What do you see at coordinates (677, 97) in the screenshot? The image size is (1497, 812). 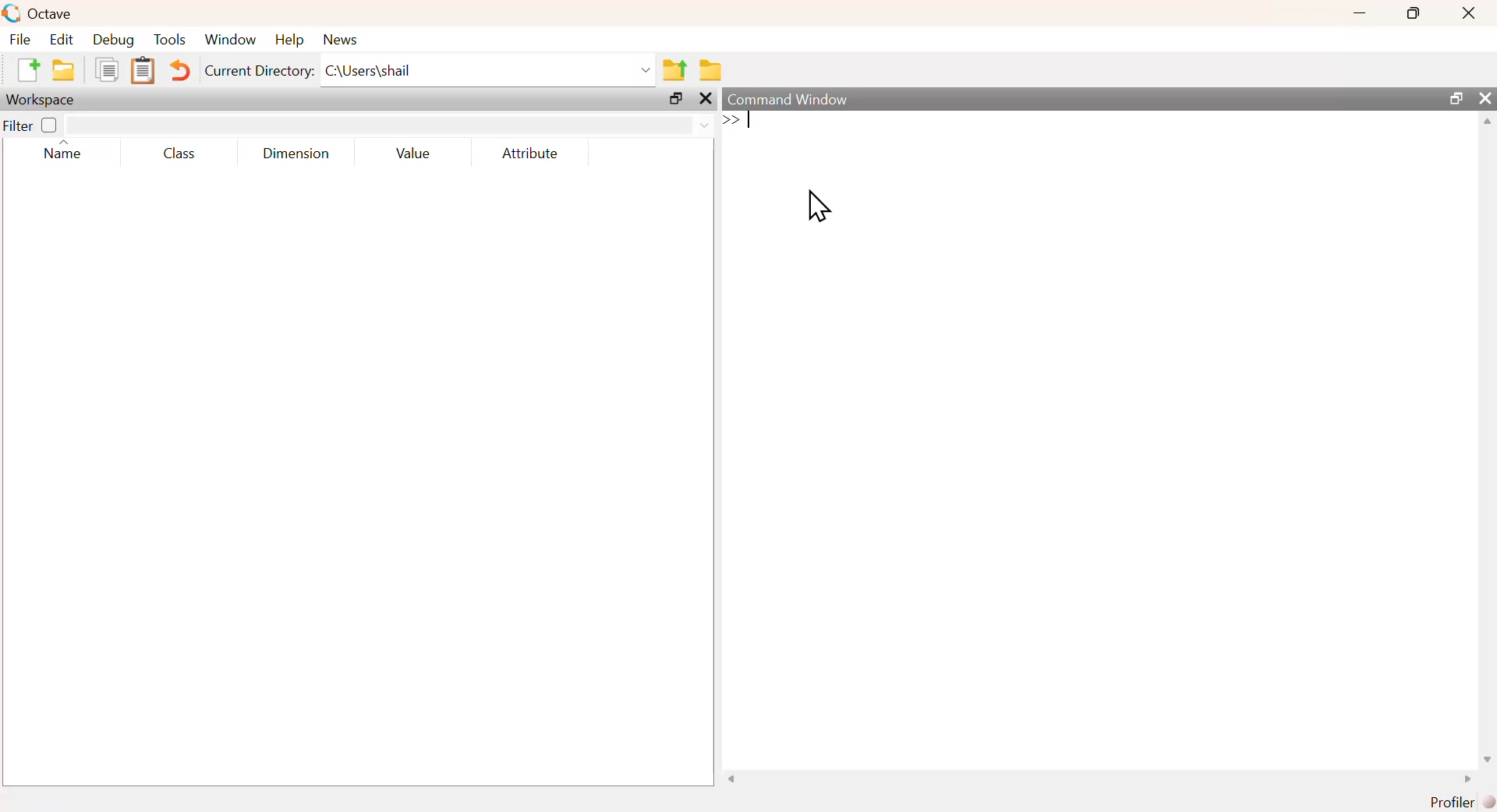 I see `maximize` at bounding box center [677, 97].